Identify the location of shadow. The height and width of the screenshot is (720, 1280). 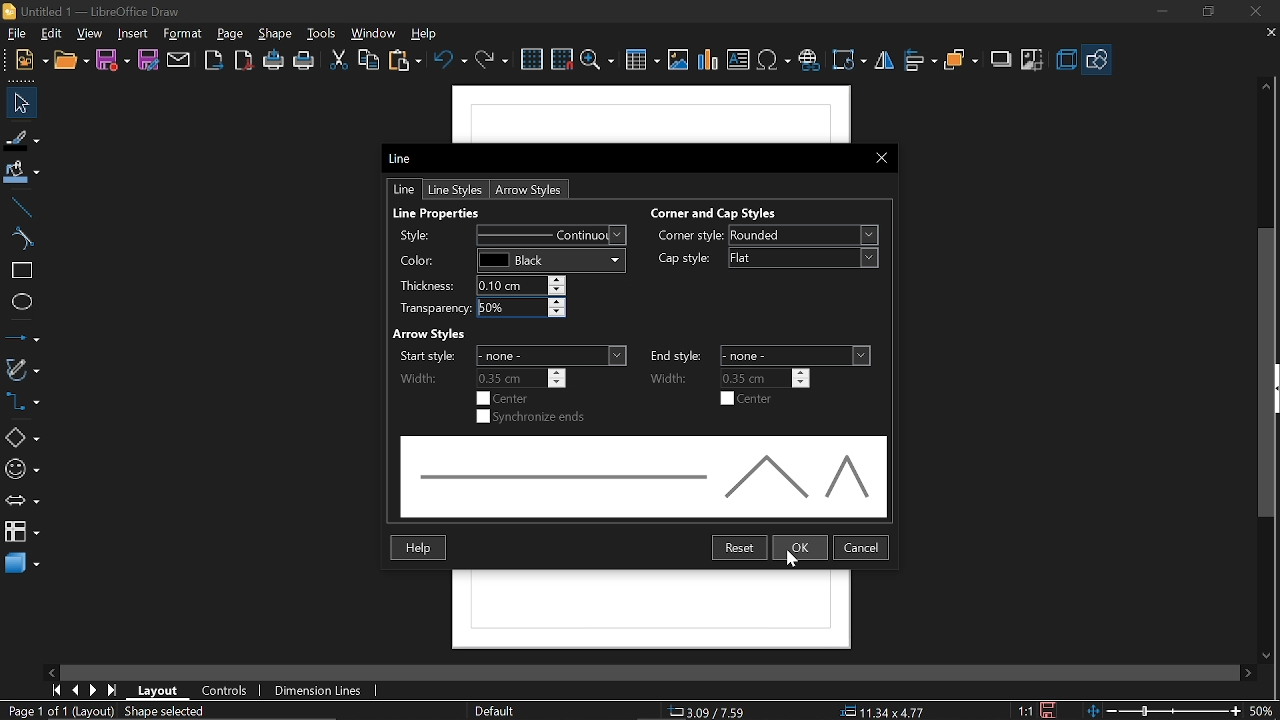
(1001, 60).